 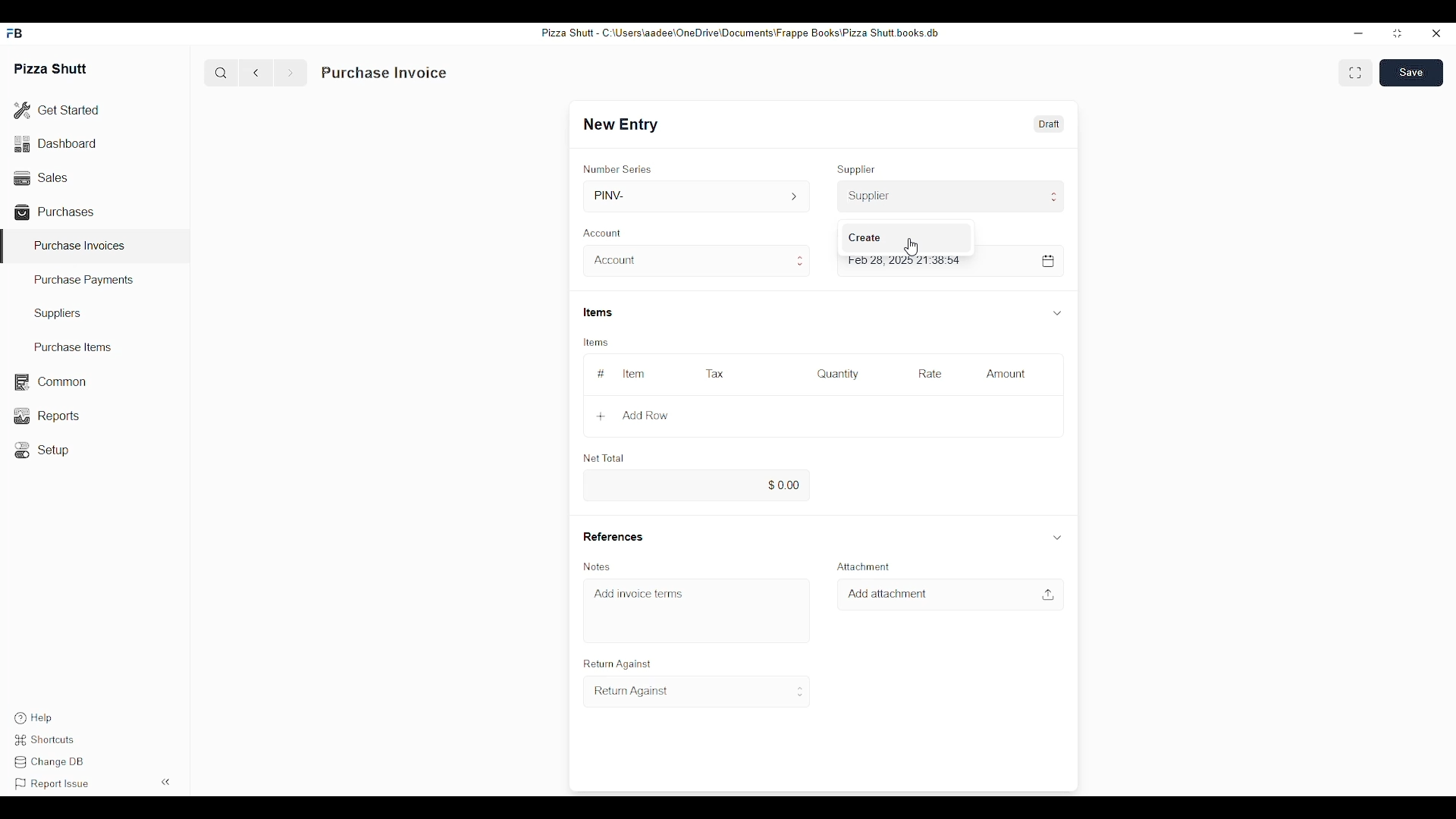 I want to click on Sales, so click(x=39, y=176).